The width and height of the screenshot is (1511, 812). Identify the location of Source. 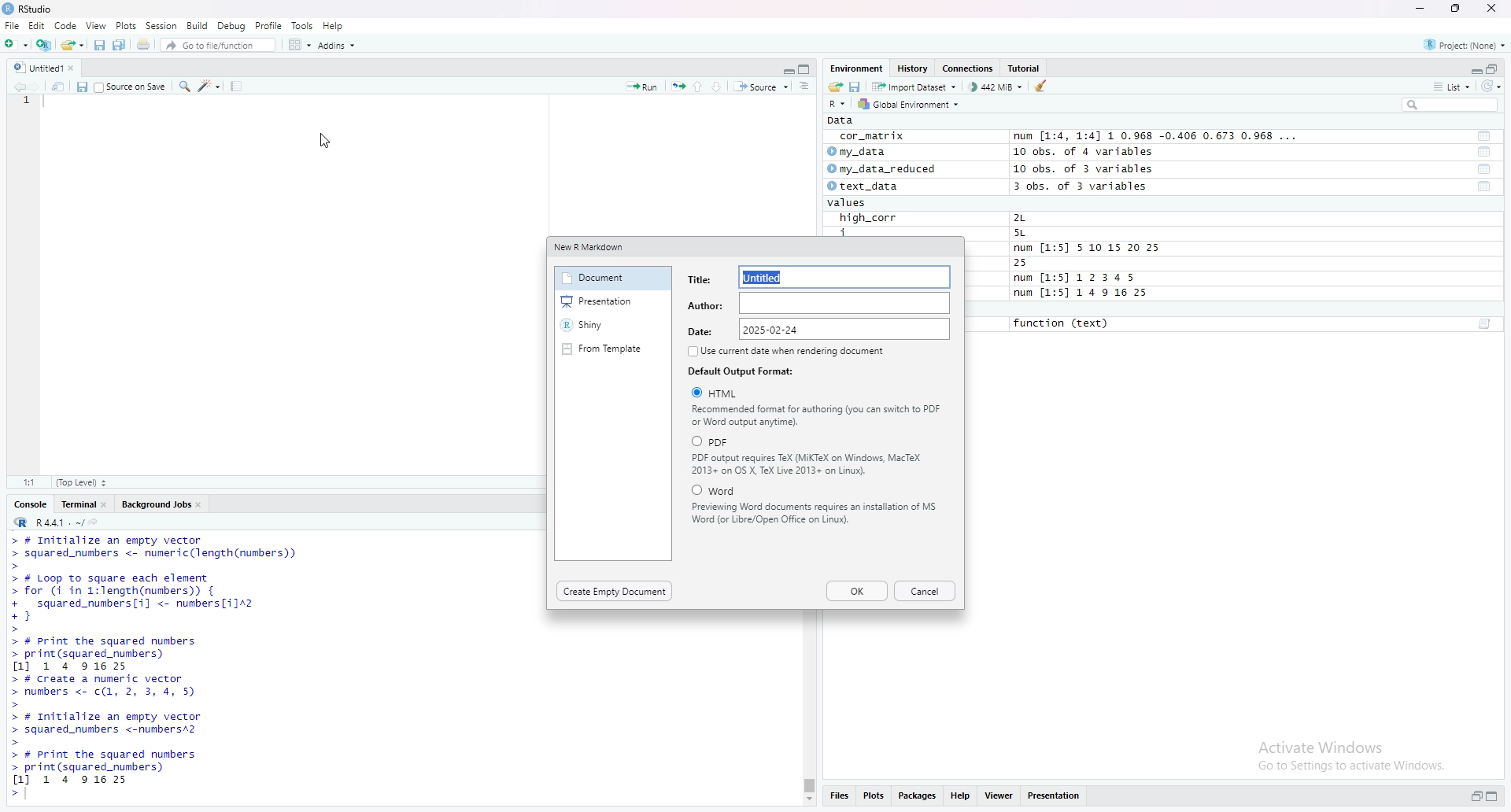
(763, 87).